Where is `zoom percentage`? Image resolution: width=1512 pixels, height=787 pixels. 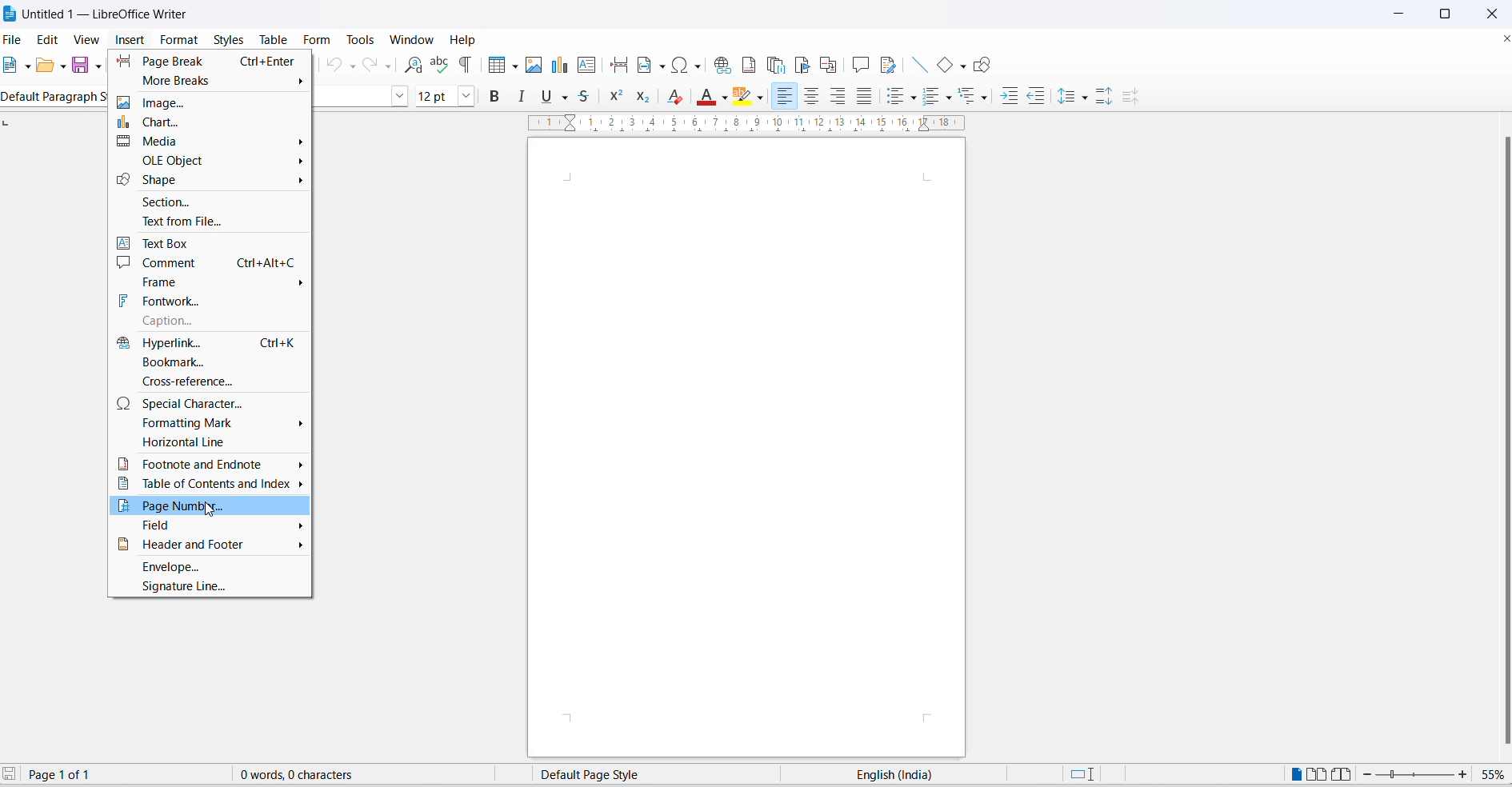 zoom percentage is located at coordinates (1492, 775).